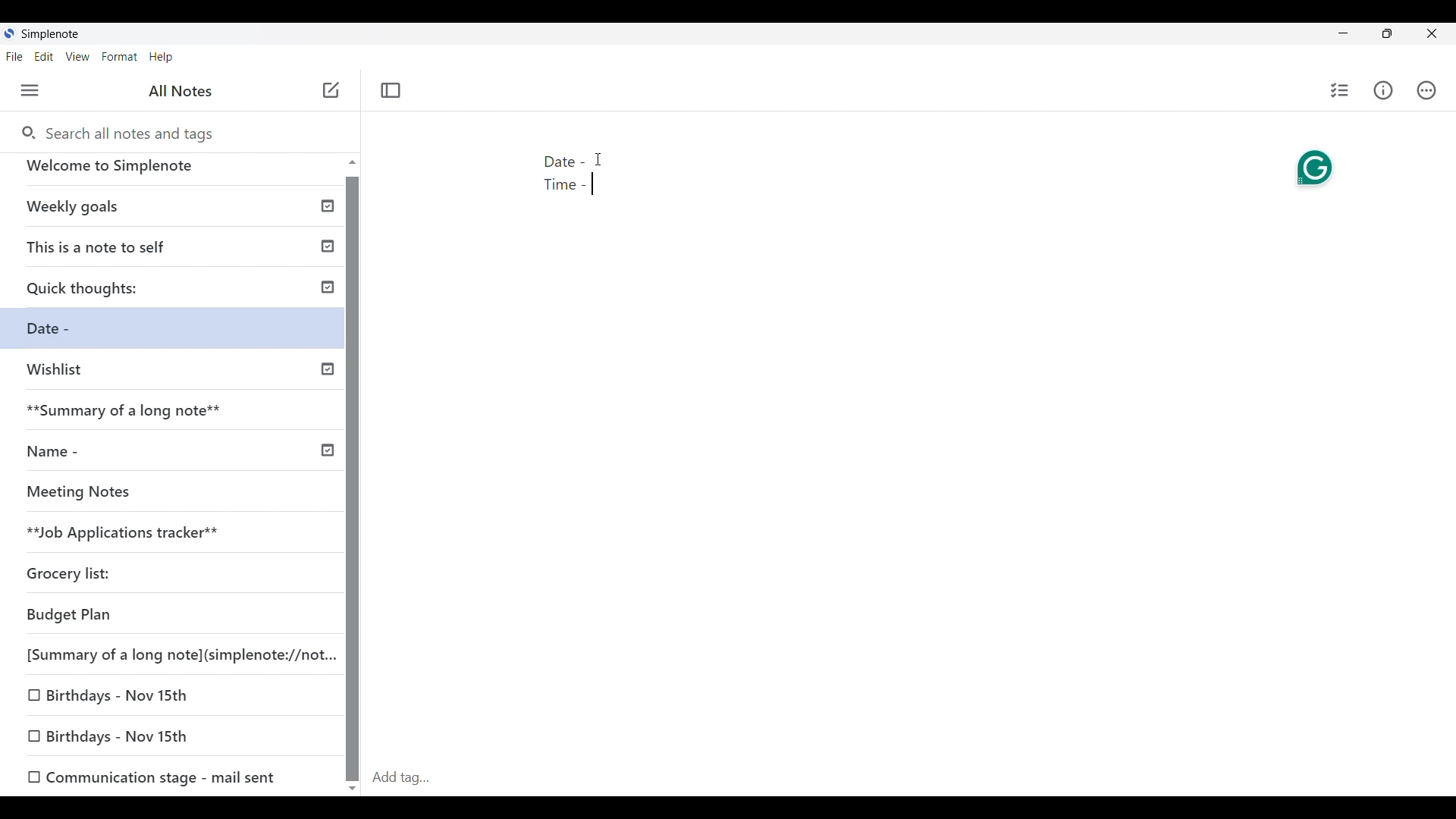 The image size is (1456, 819). I want to click on Unpublished note, so click(168, 535).